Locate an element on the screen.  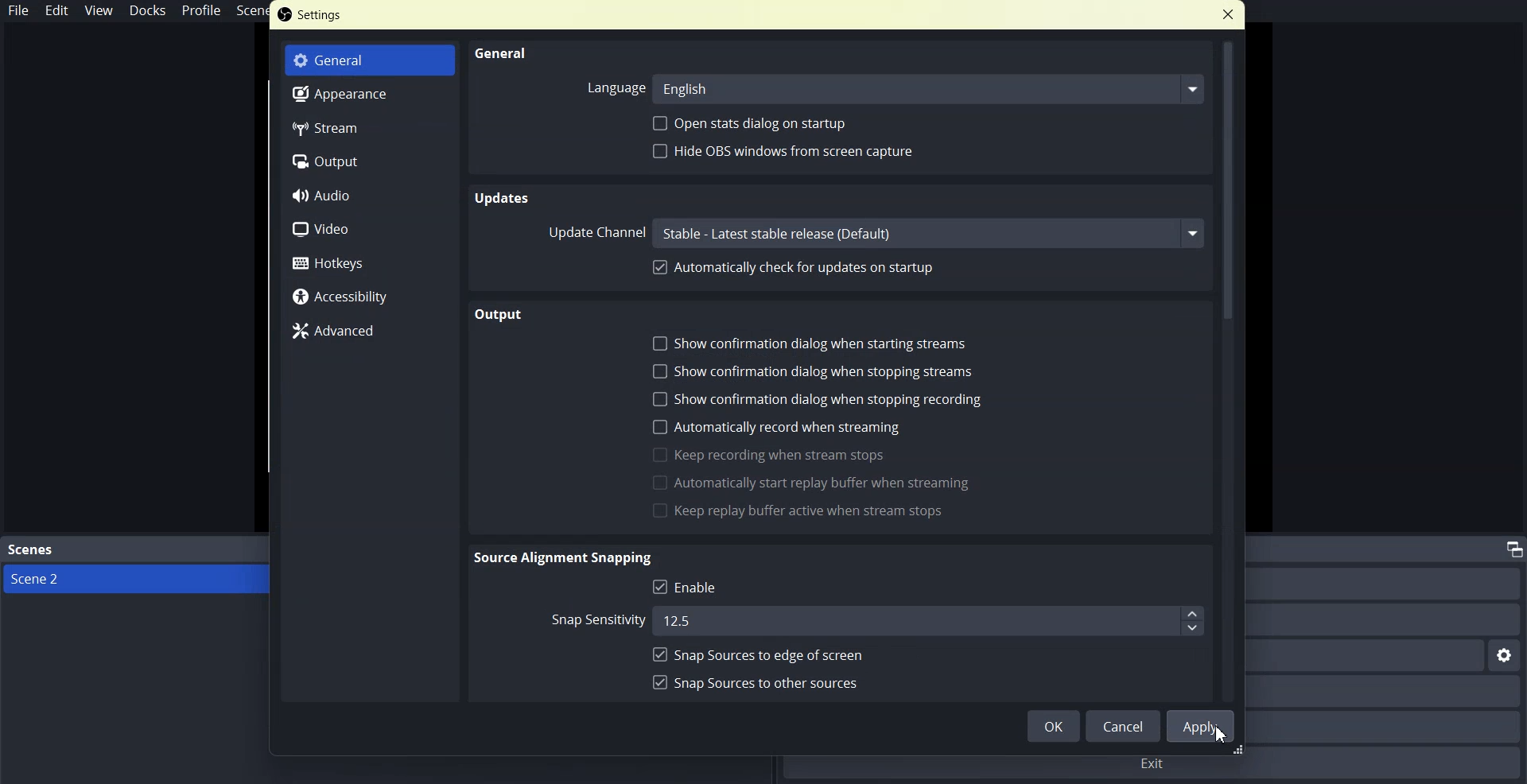
english is located at coordinates (930, 87).